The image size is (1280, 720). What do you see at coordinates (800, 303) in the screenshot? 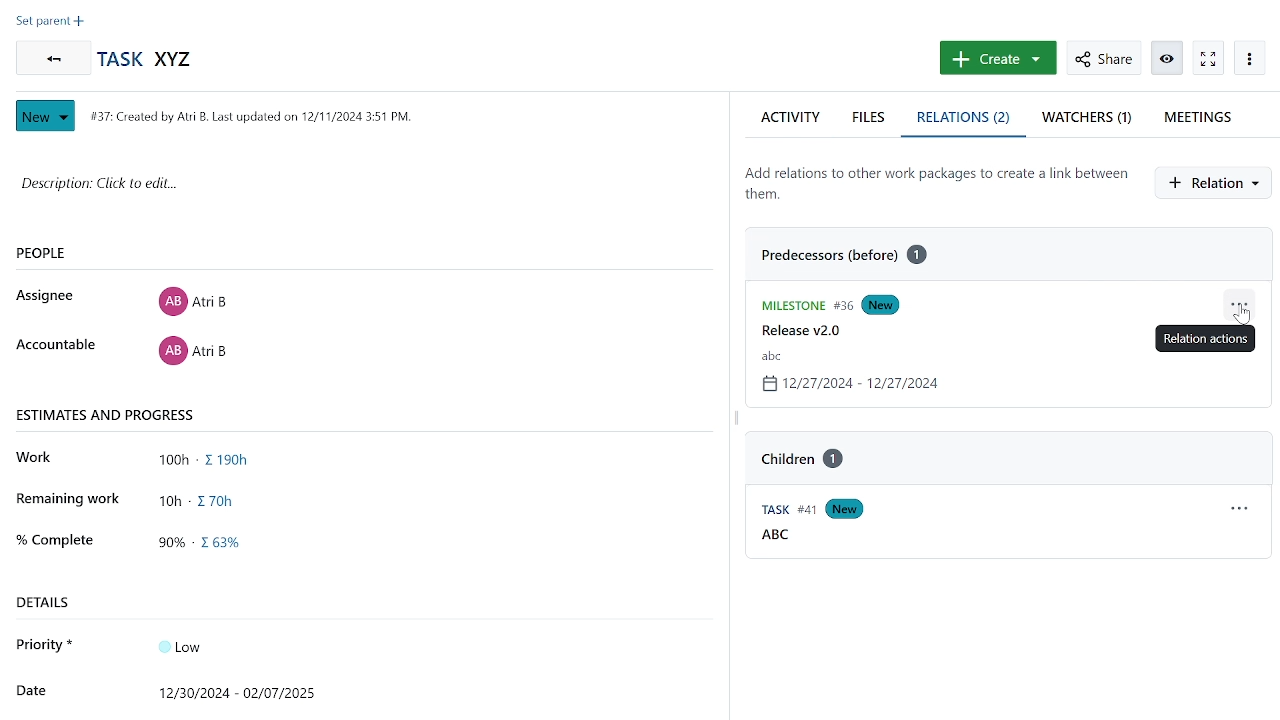
I see `Milestone` at bounding box center [800, 303].